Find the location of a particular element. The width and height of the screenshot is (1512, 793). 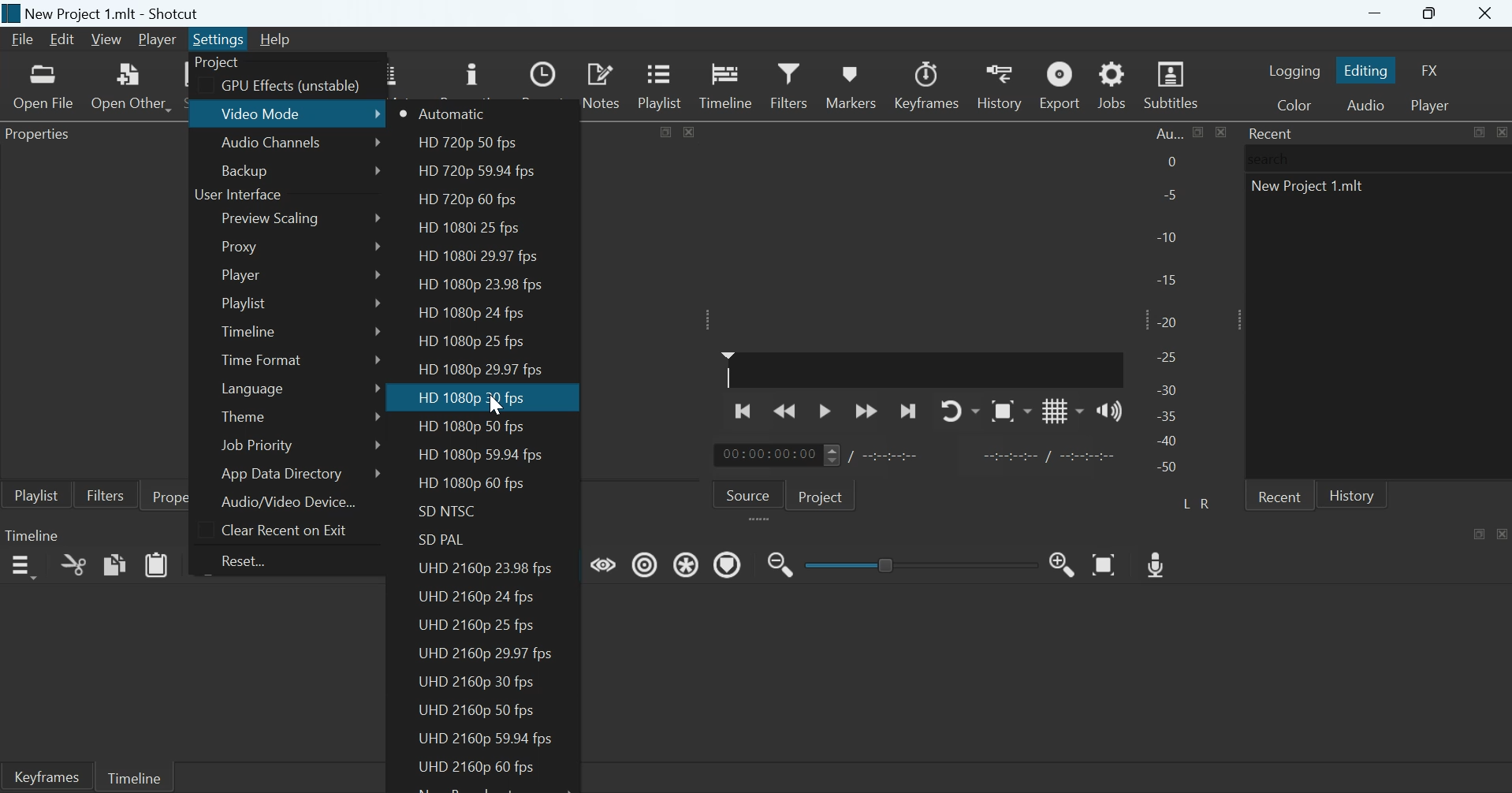

cursor is located at coordinates (497, 406).